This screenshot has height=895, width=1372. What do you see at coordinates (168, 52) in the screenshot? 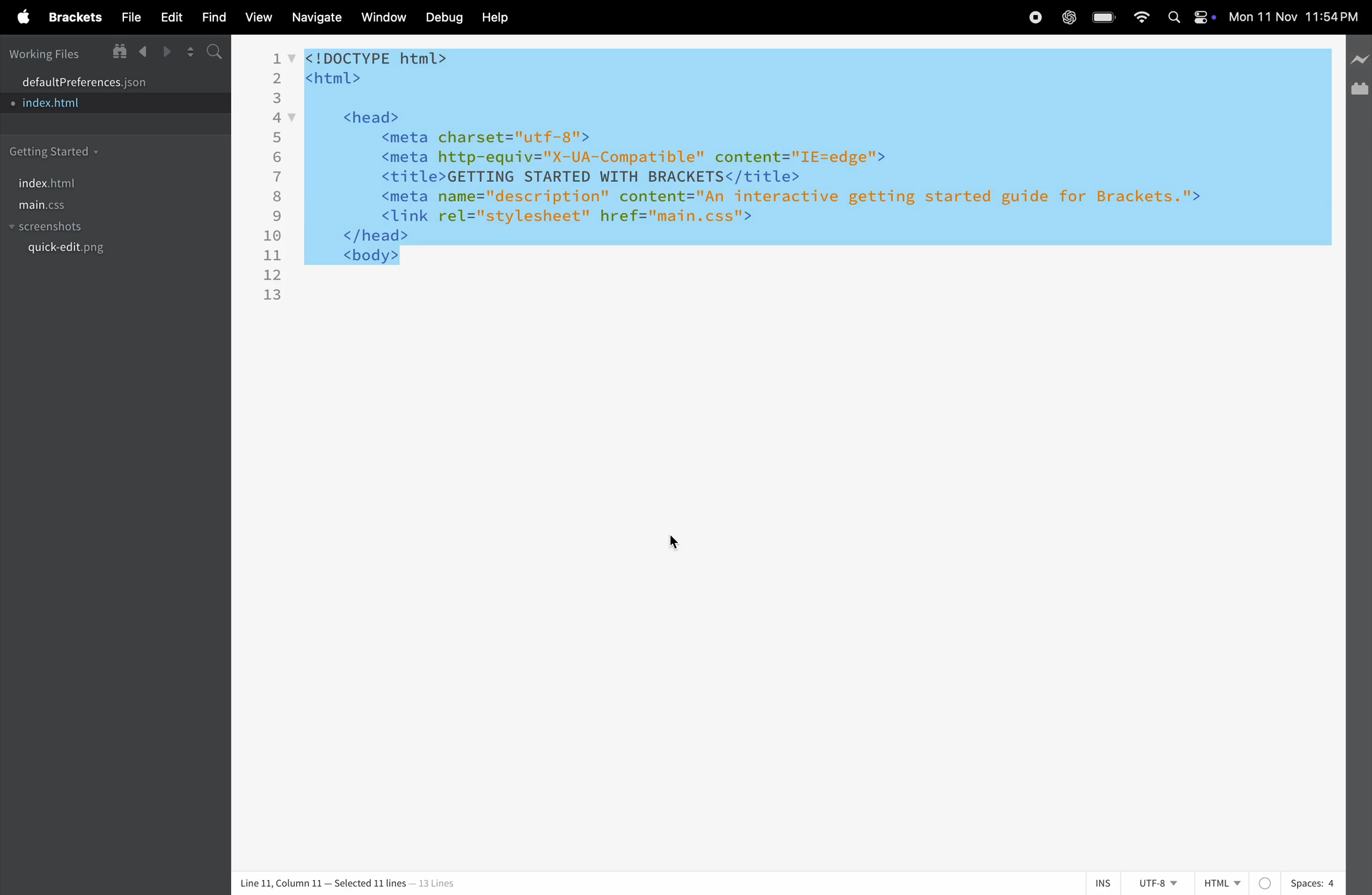
I see `forward` at bounding box center [168, 52].